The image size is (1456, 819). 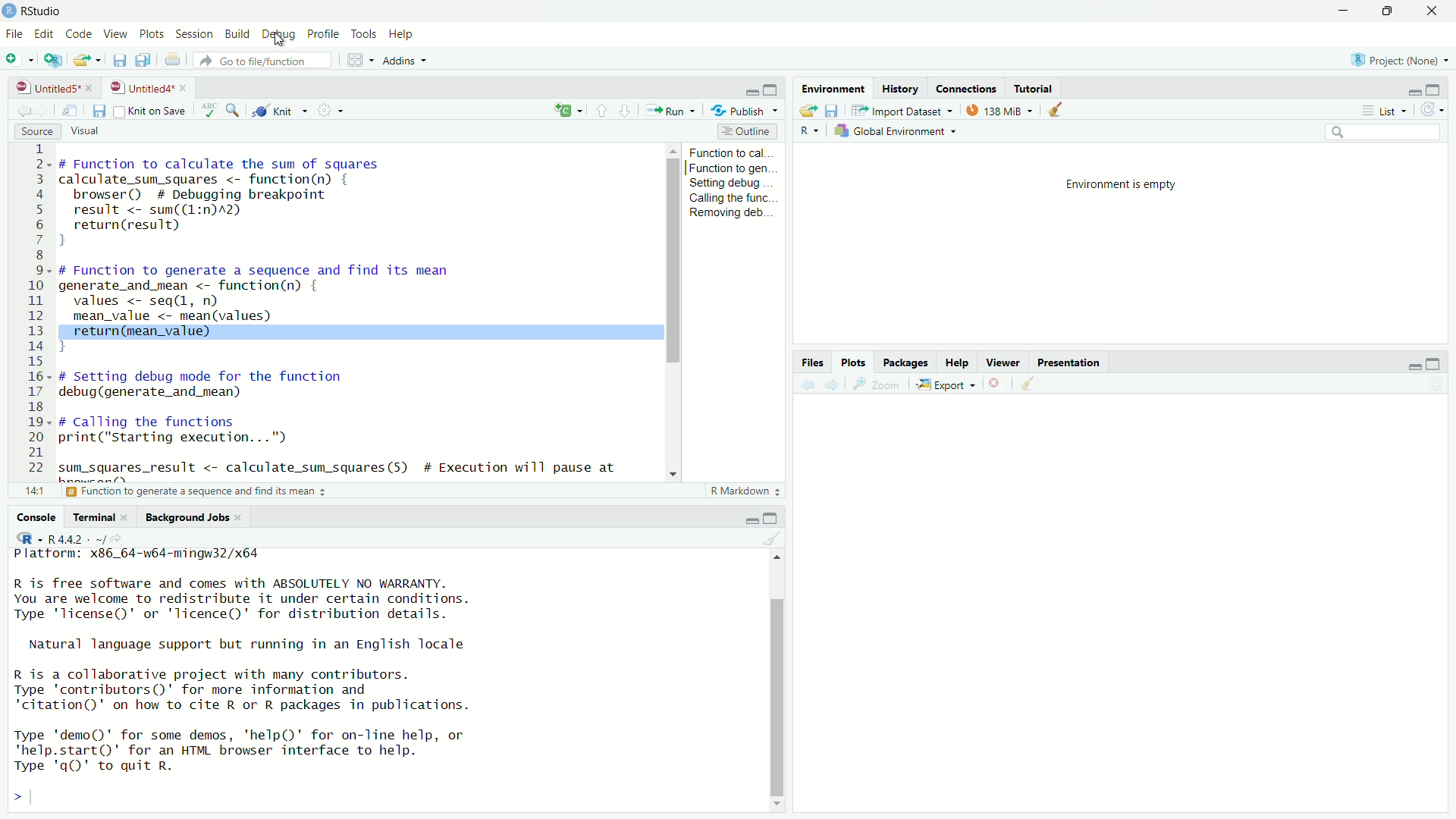 I want to click on help, so click(x=403, y=33).